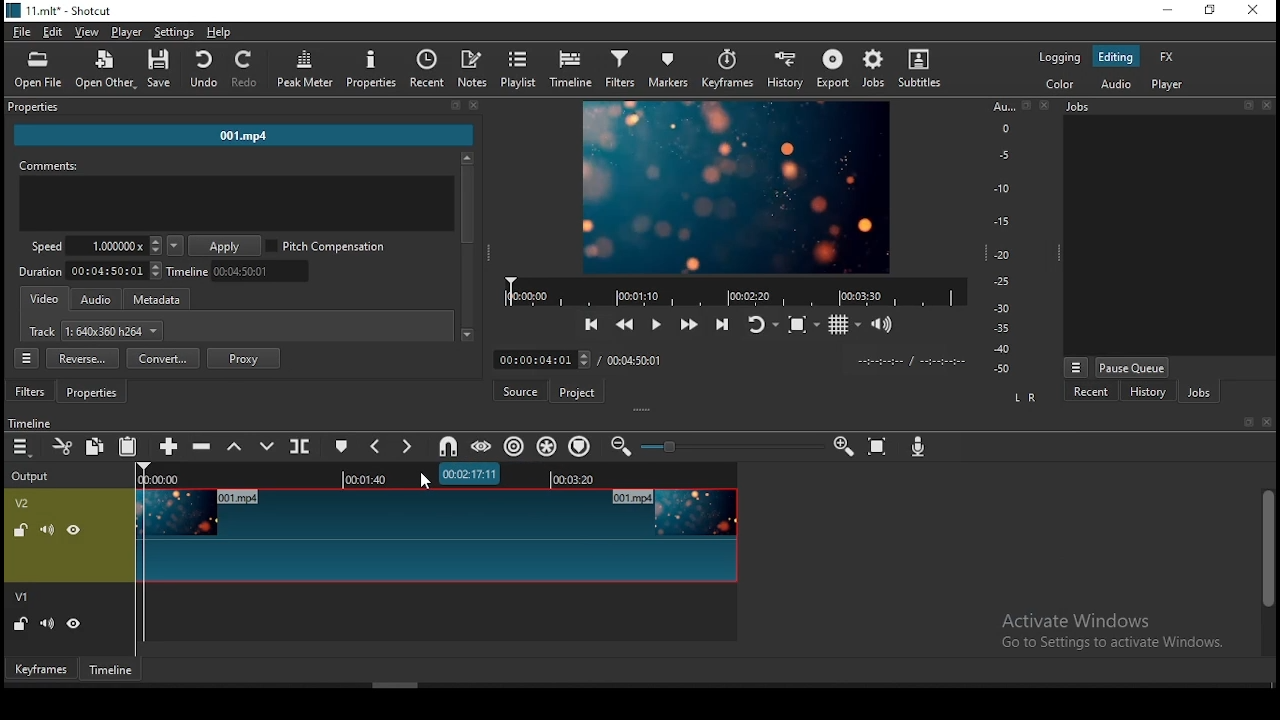 This screenshot has width=1280, height=720. I want to click on track duration, so click(91, 270).